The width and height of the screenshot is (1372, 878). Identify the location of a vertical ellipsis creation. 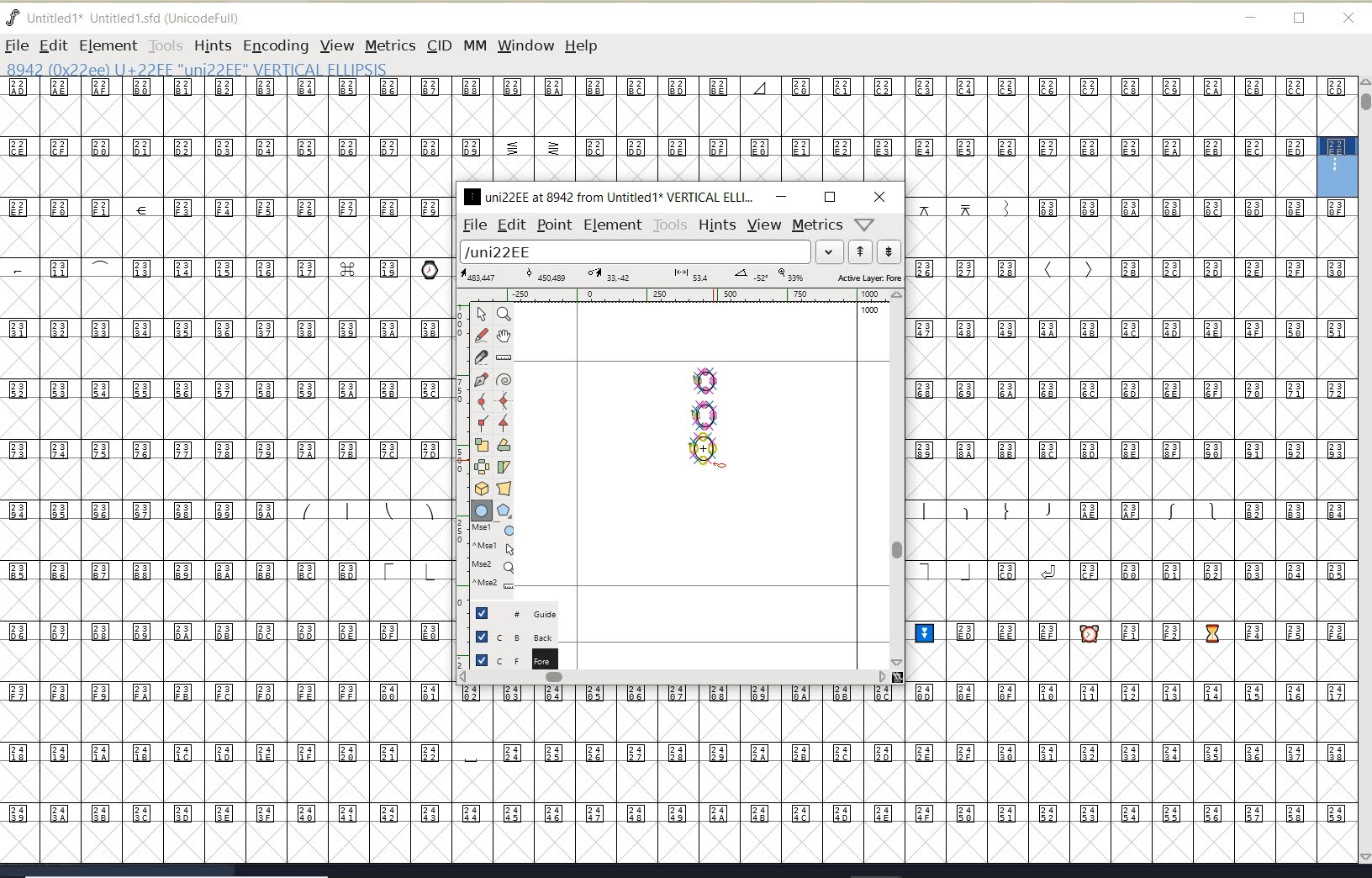
(705, 413).